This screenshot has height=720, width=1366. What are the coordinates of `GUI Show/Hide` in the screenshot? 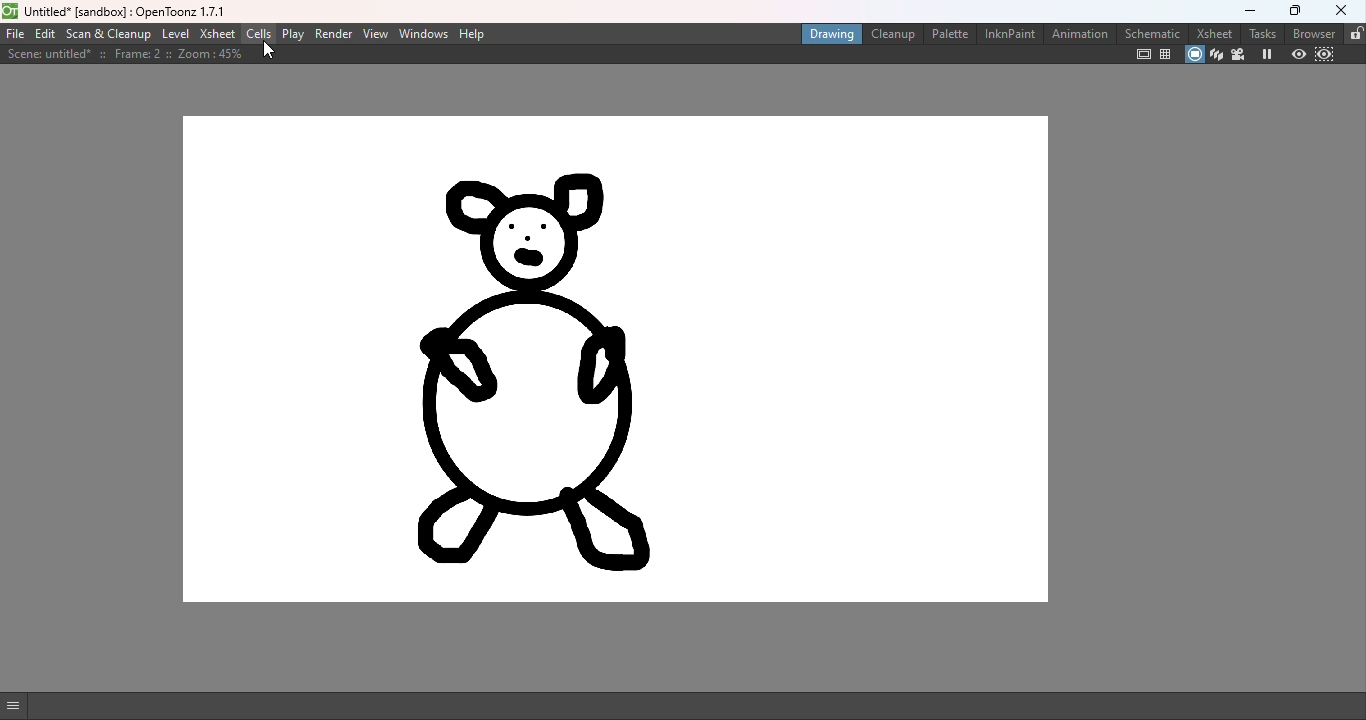 It's located at (18, 702).